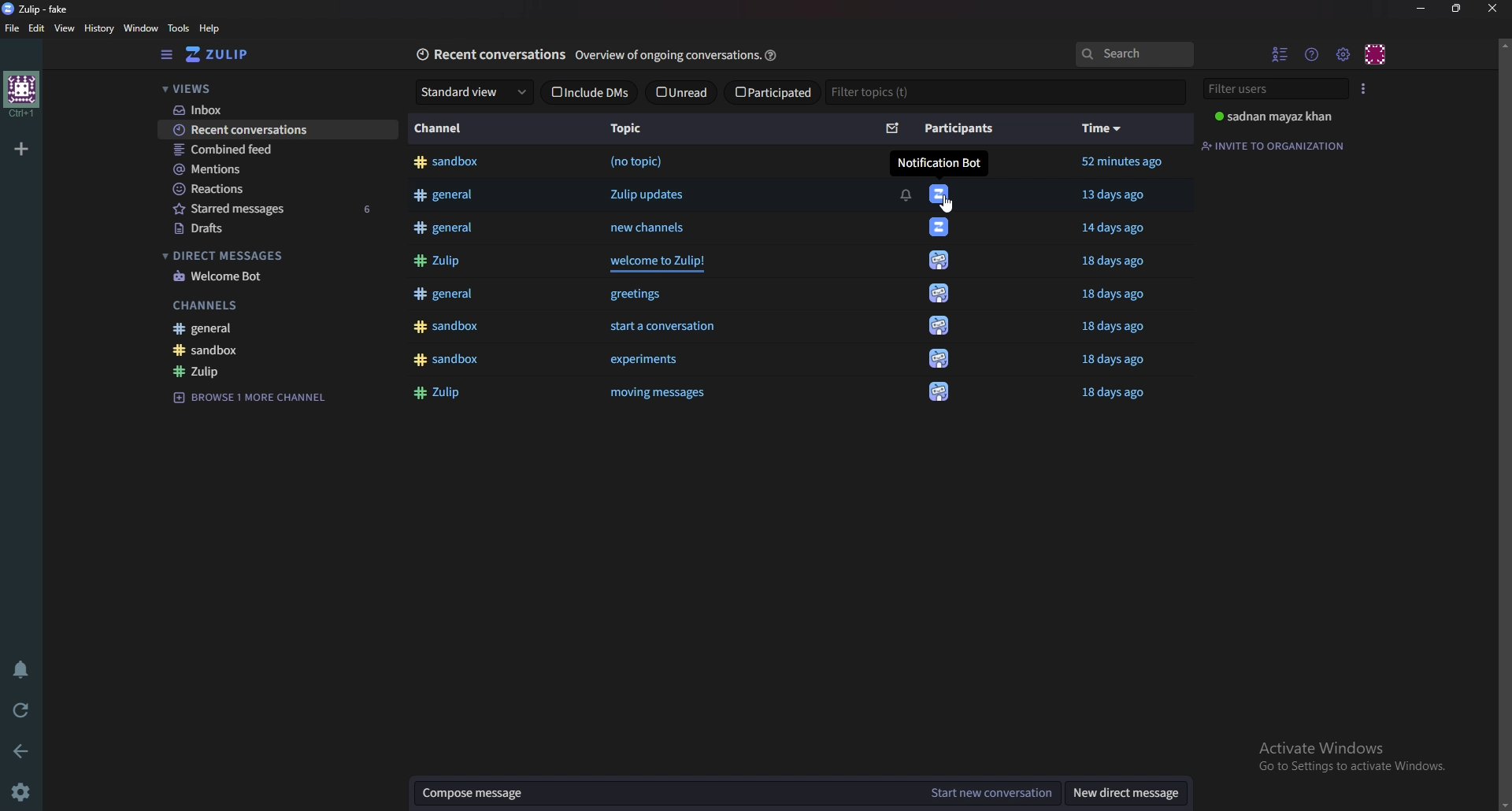  Describe the element at coordinates (181, 28) in the screenshot. I see `Tools` at that location.